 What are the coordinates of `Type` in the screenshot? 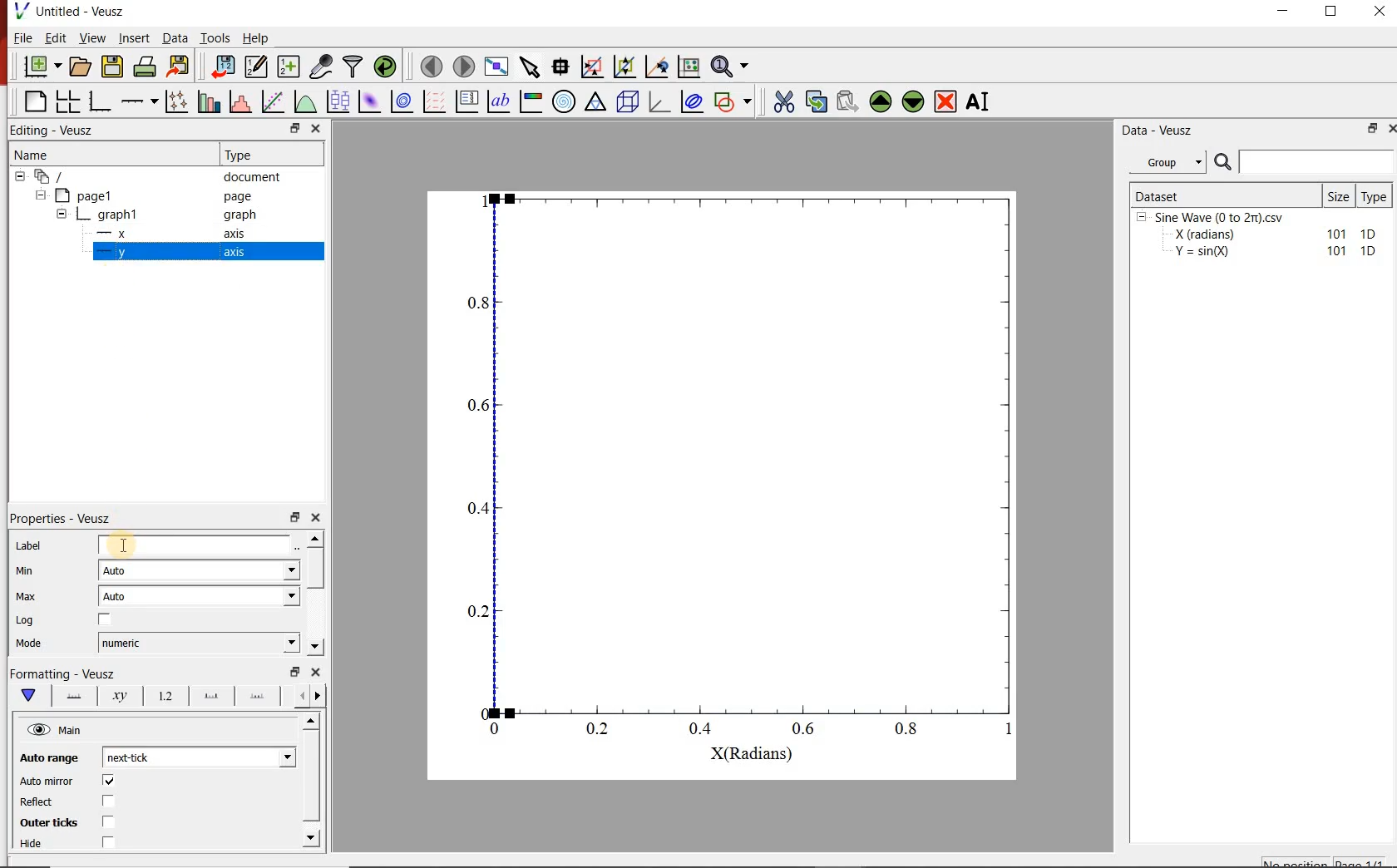 It's located at (243, 153).